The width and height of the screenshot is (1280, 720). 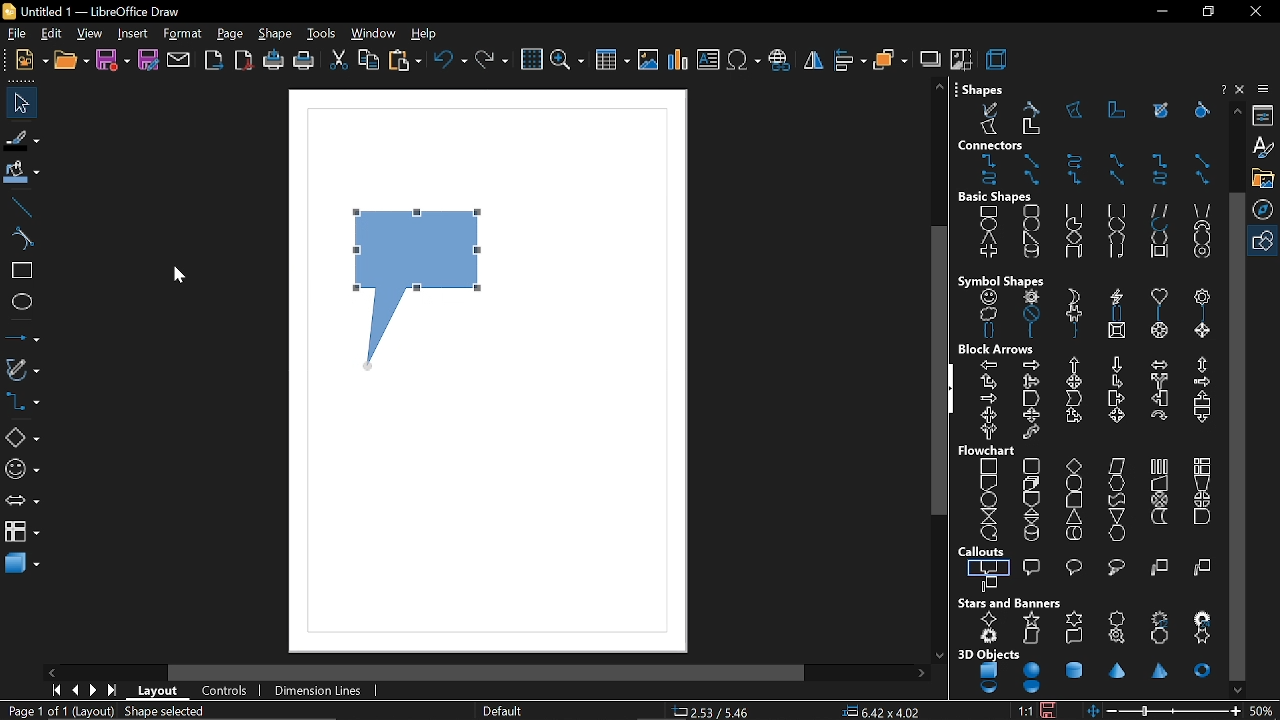 I want to click on print, so click(x=305, y=62).